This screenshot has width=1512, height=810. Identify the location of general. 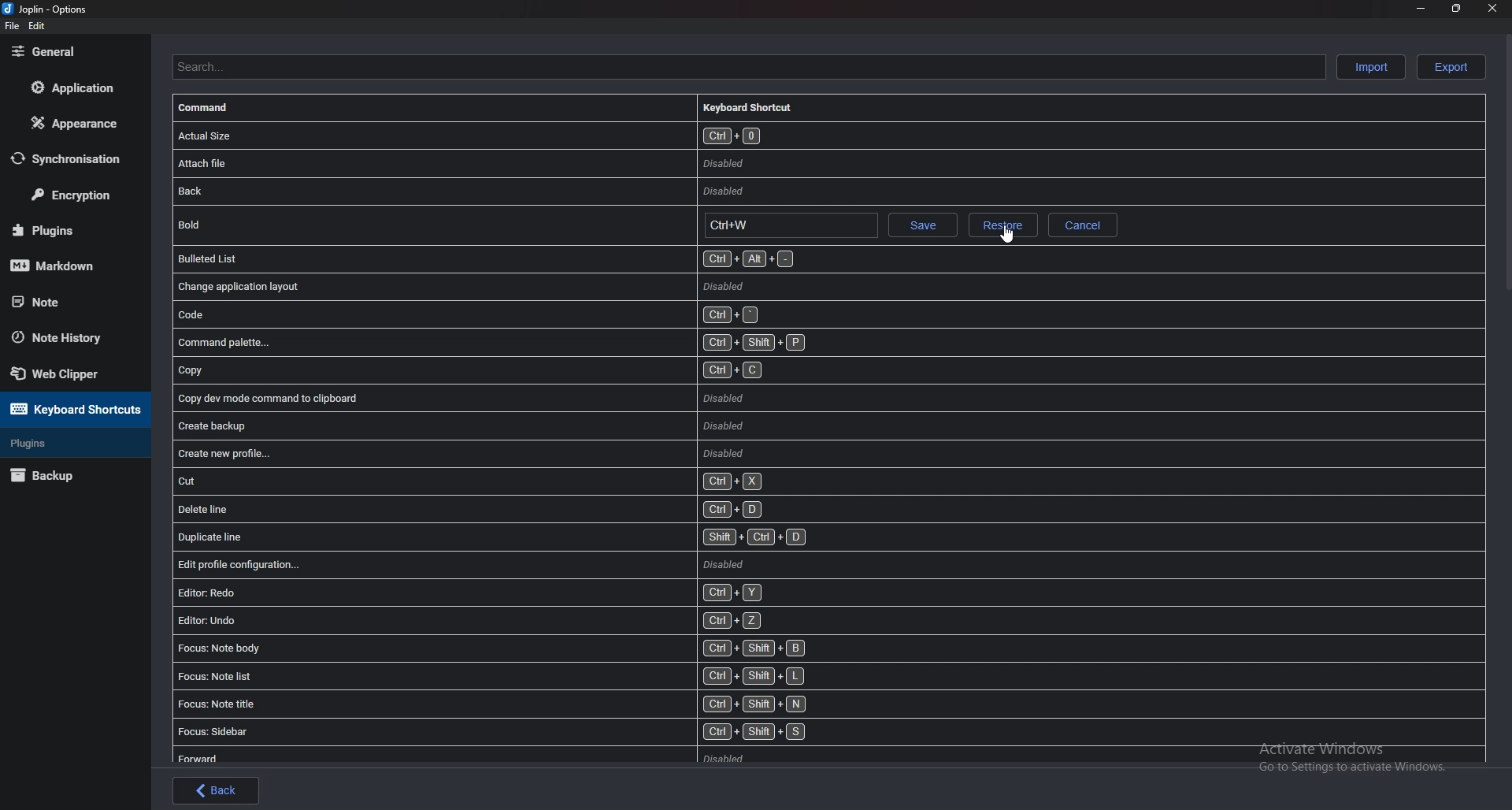
(71, 51).